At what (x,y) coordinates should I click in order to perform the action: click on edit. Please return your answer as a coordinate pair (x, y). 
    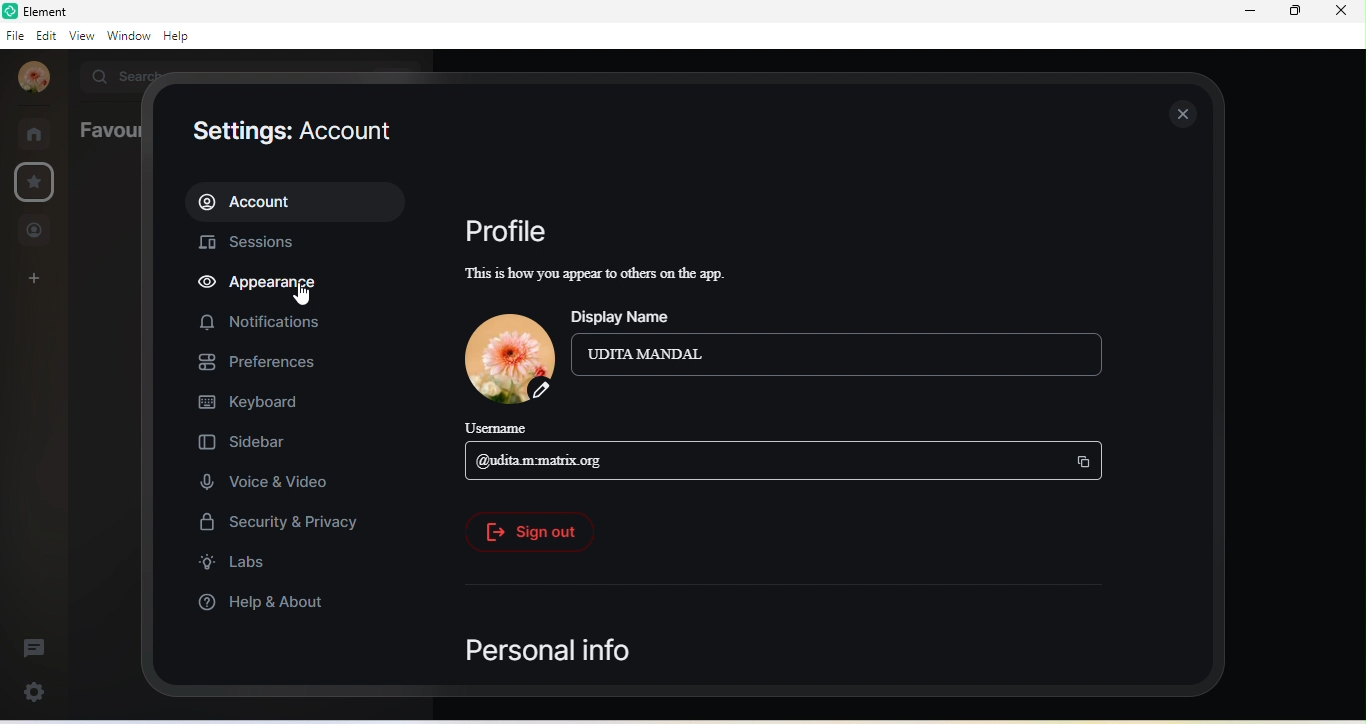
    Looking at the image, I should click on (45, 39).